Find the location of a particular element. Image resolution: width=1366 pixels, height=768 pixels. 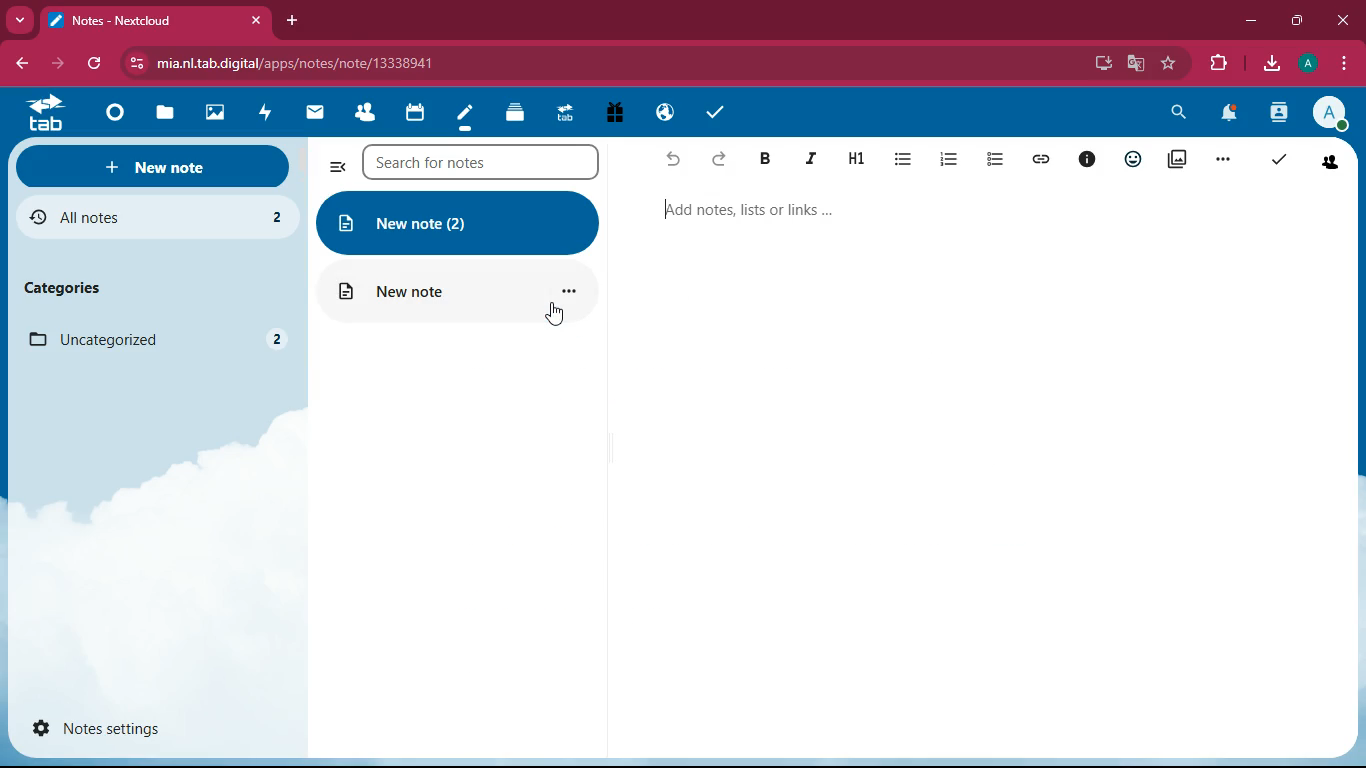

profile is located at coordinates (1330, 112).